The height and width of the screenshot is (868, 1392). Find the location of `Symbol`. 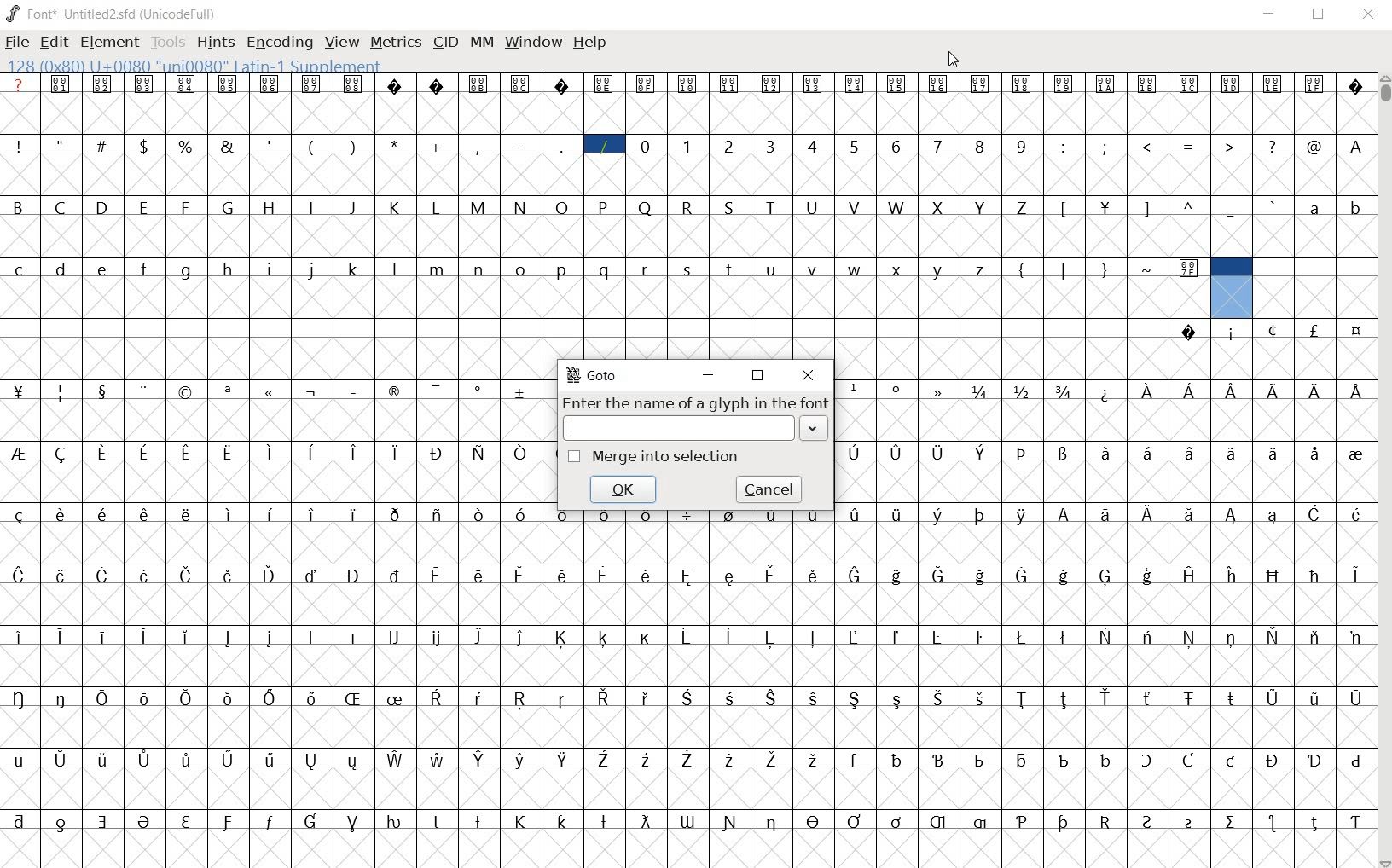

Symbol is located at coordinates (1064, 575).